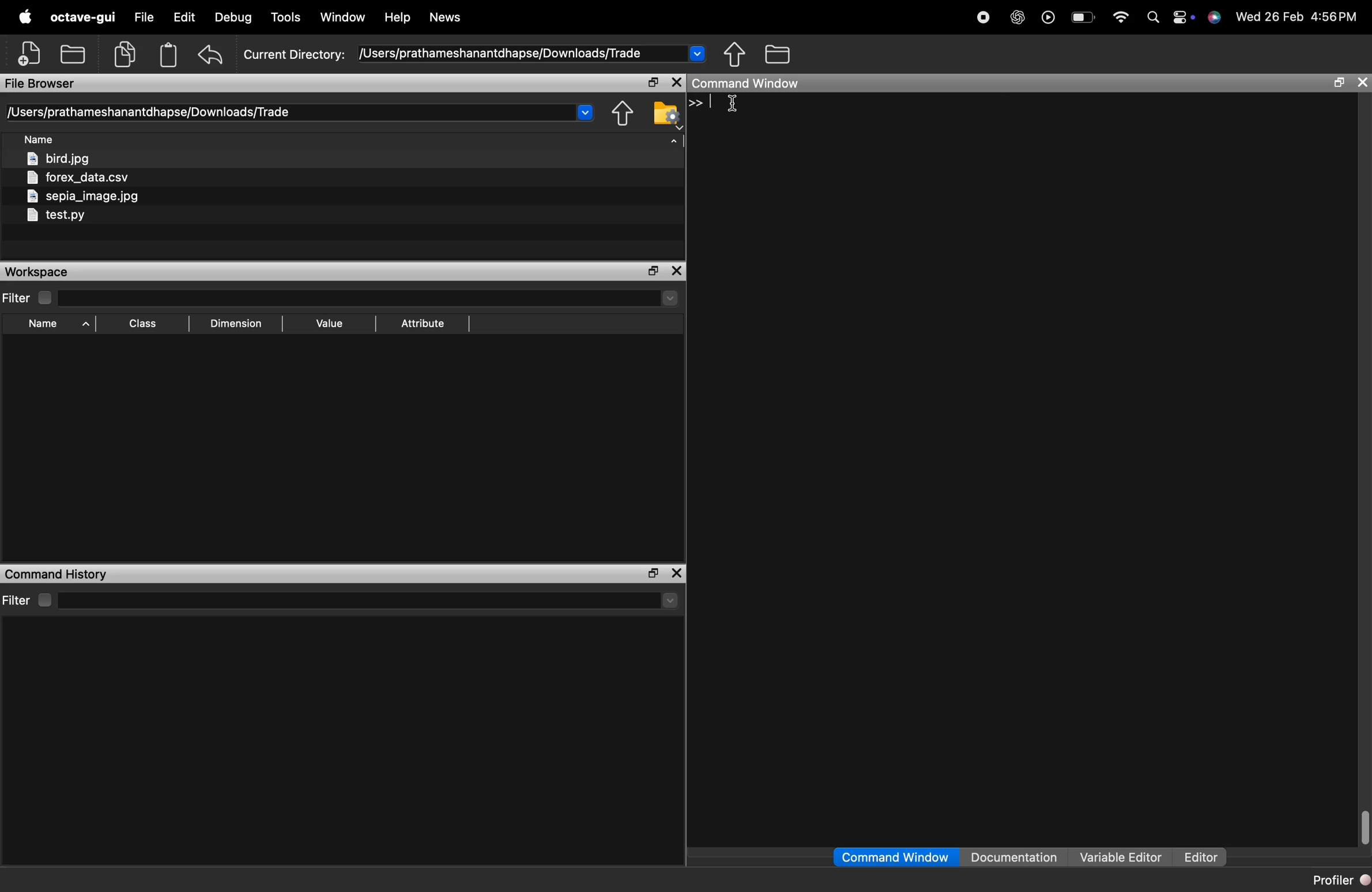  Describe the element at coordinates (1364, 82) in the screenshot. I see `close` at that location.